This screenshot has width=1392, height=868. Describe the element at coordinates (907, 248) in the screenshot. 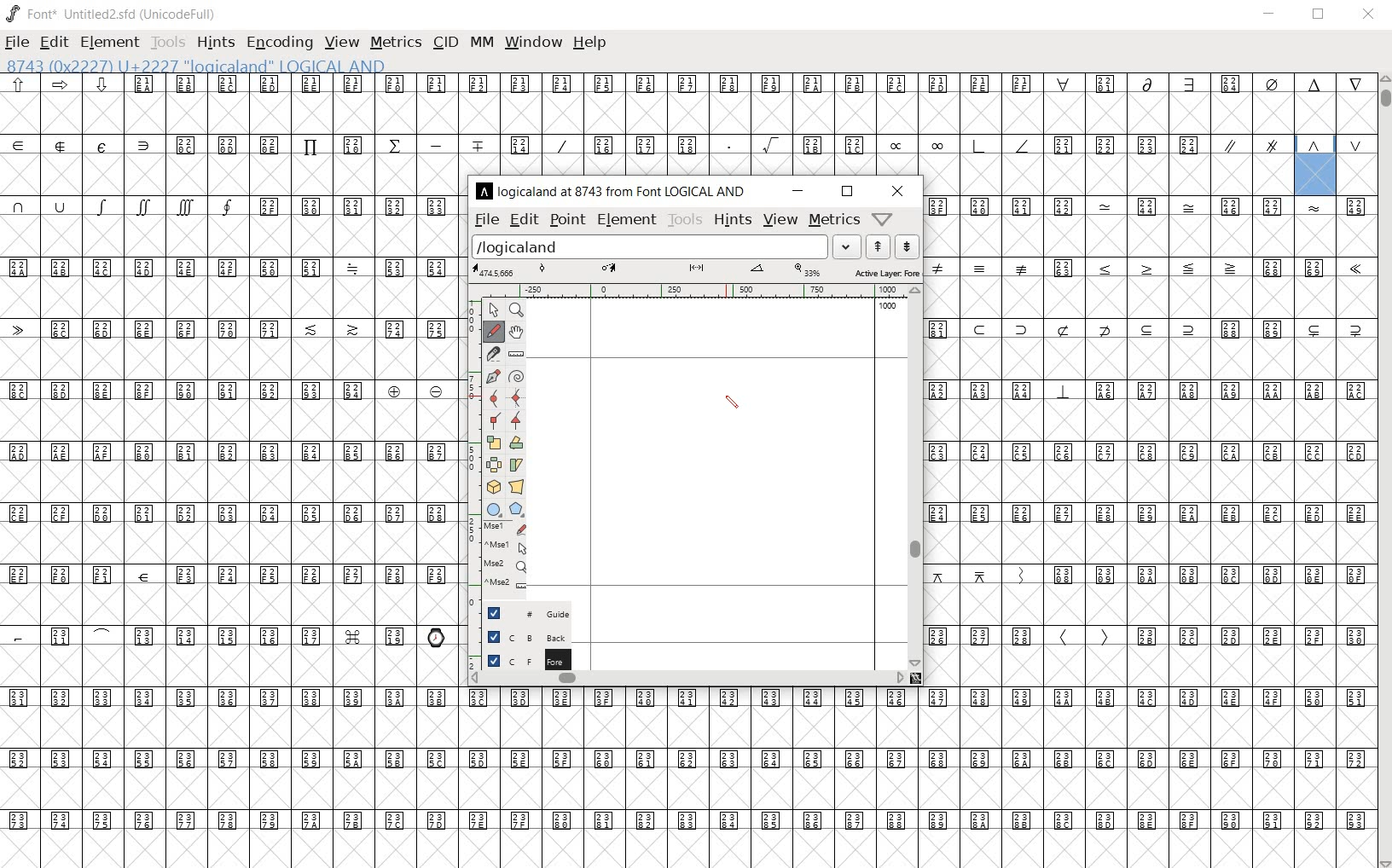

I see `show the previous word on the list` at that location.